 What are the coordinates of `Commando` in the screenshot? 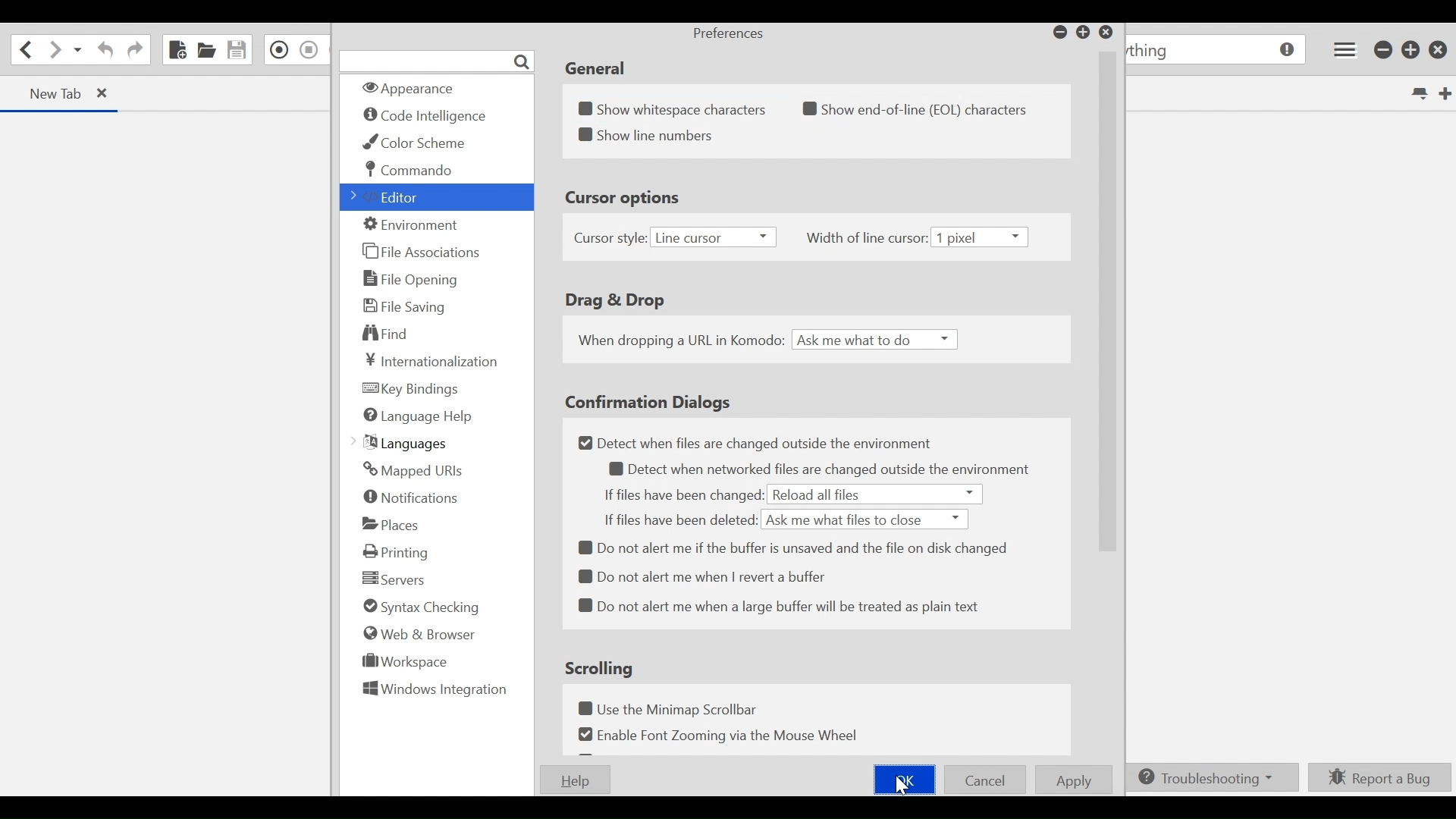 It's located at (411, 170).